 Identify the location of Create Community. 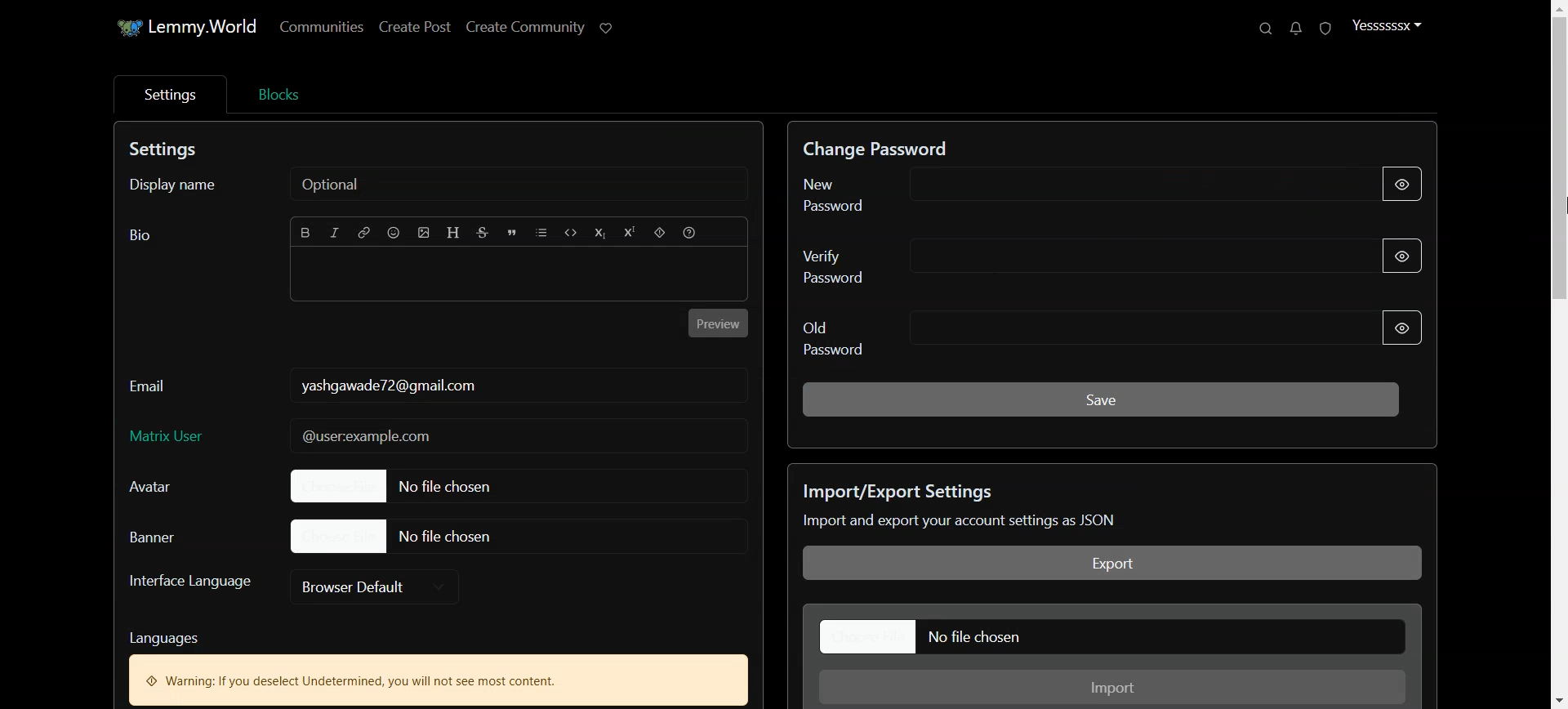
(525, 28).